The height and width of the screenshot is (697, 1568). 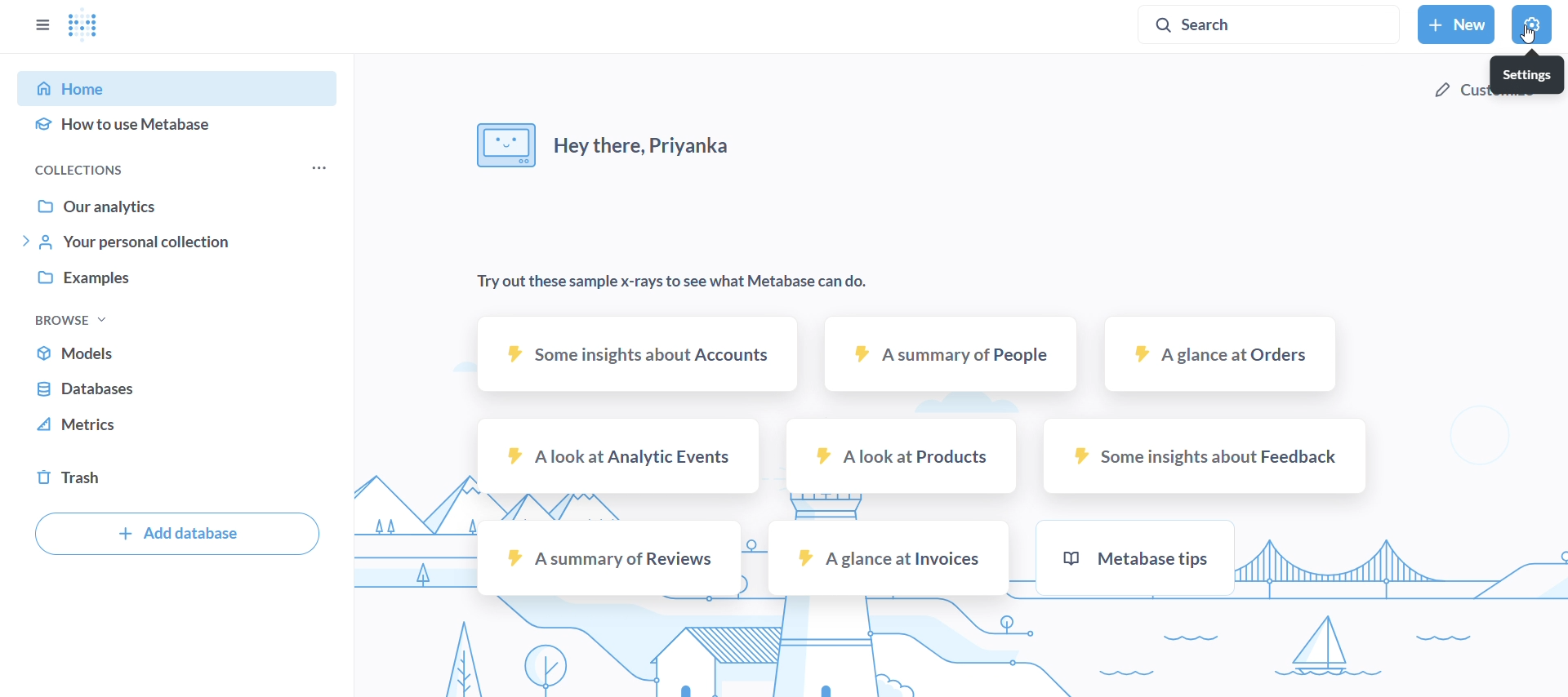 I want to click on some insights about feedback, so click(x=1203, y=457).